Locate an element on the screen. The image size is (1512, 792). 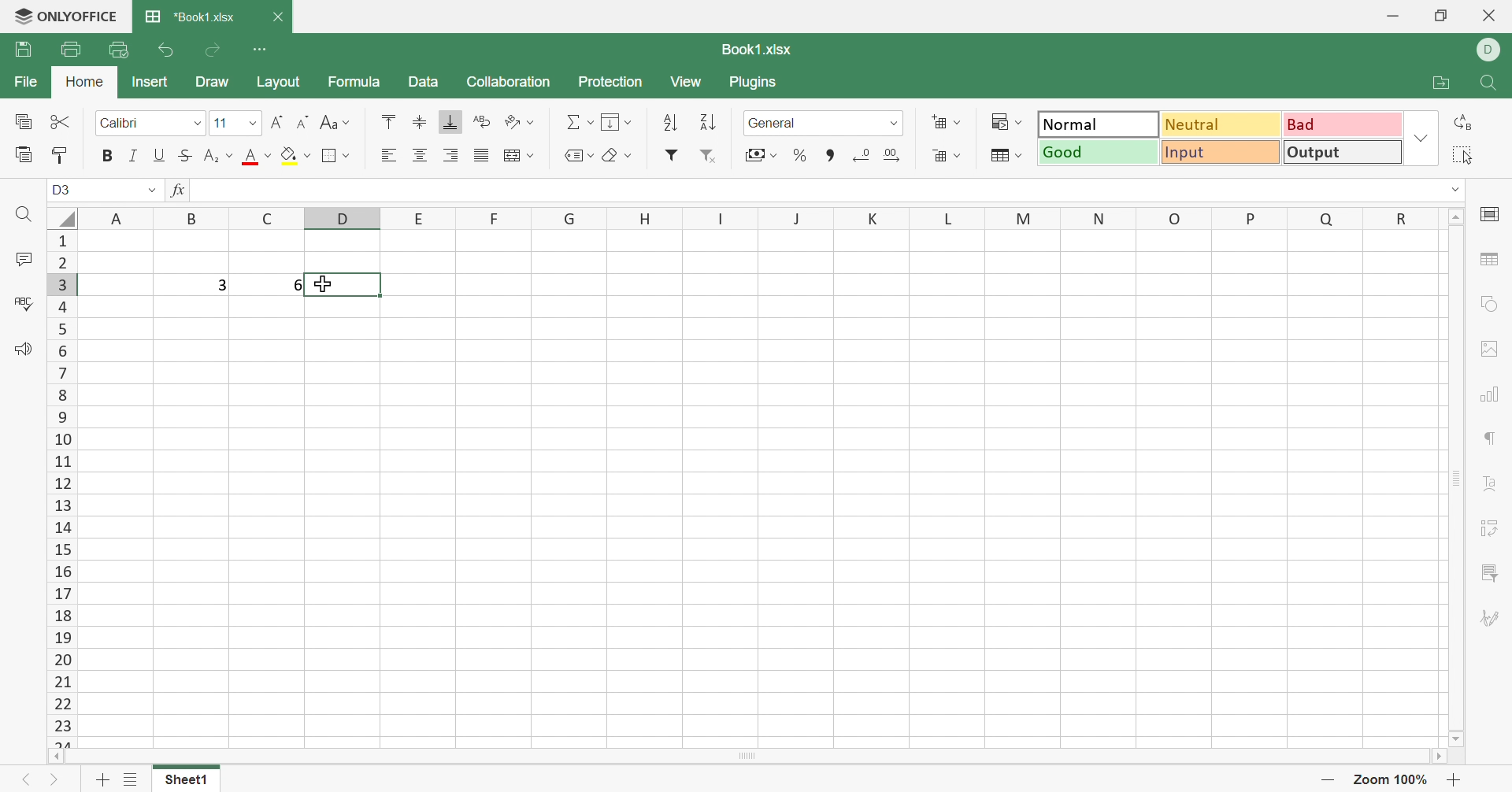
fx is located at coordinates (183, 191).